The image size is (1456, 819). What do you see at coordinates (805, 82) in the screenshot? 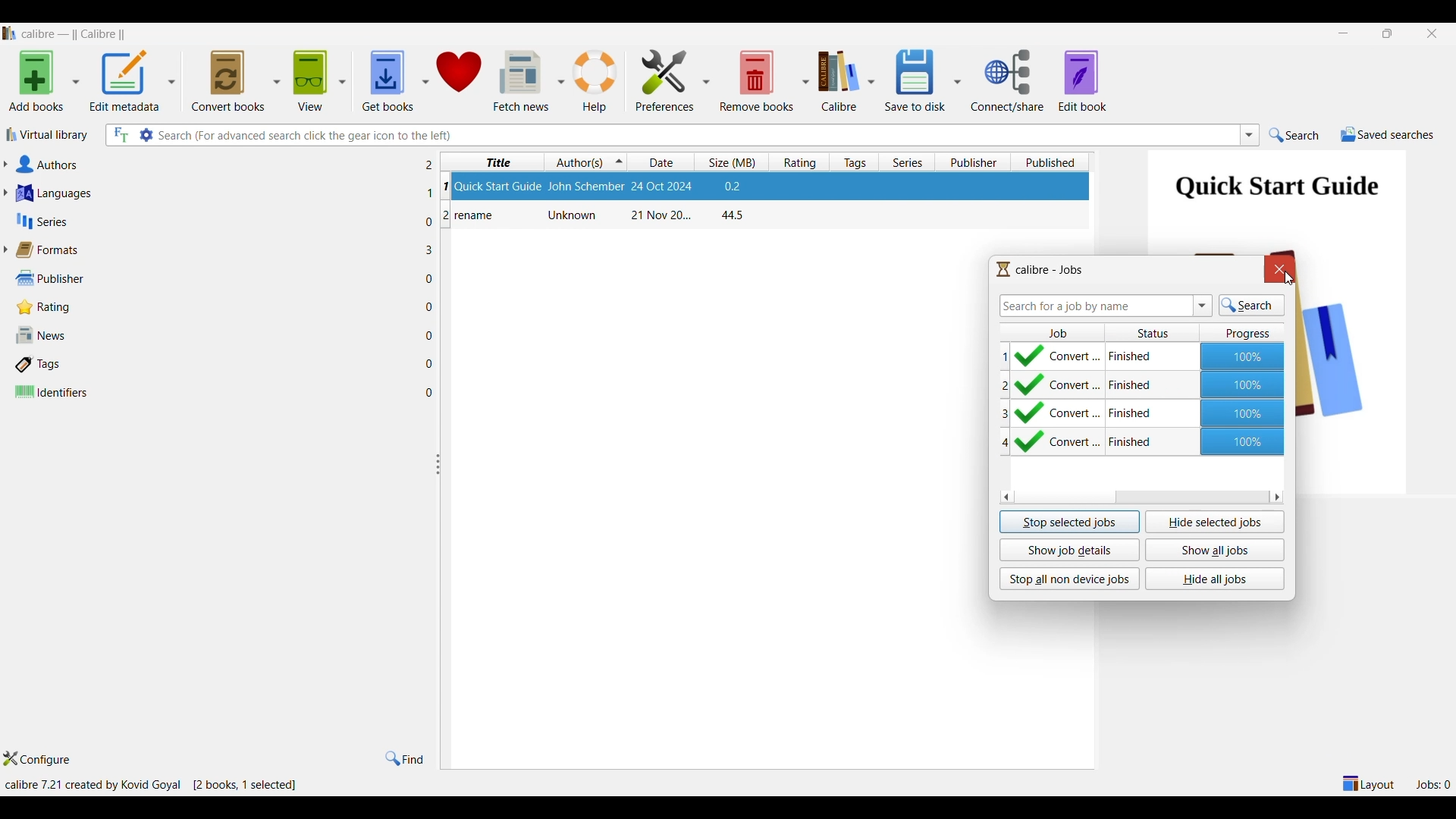
I see `Remove book options` at bounding box center [805, 82].